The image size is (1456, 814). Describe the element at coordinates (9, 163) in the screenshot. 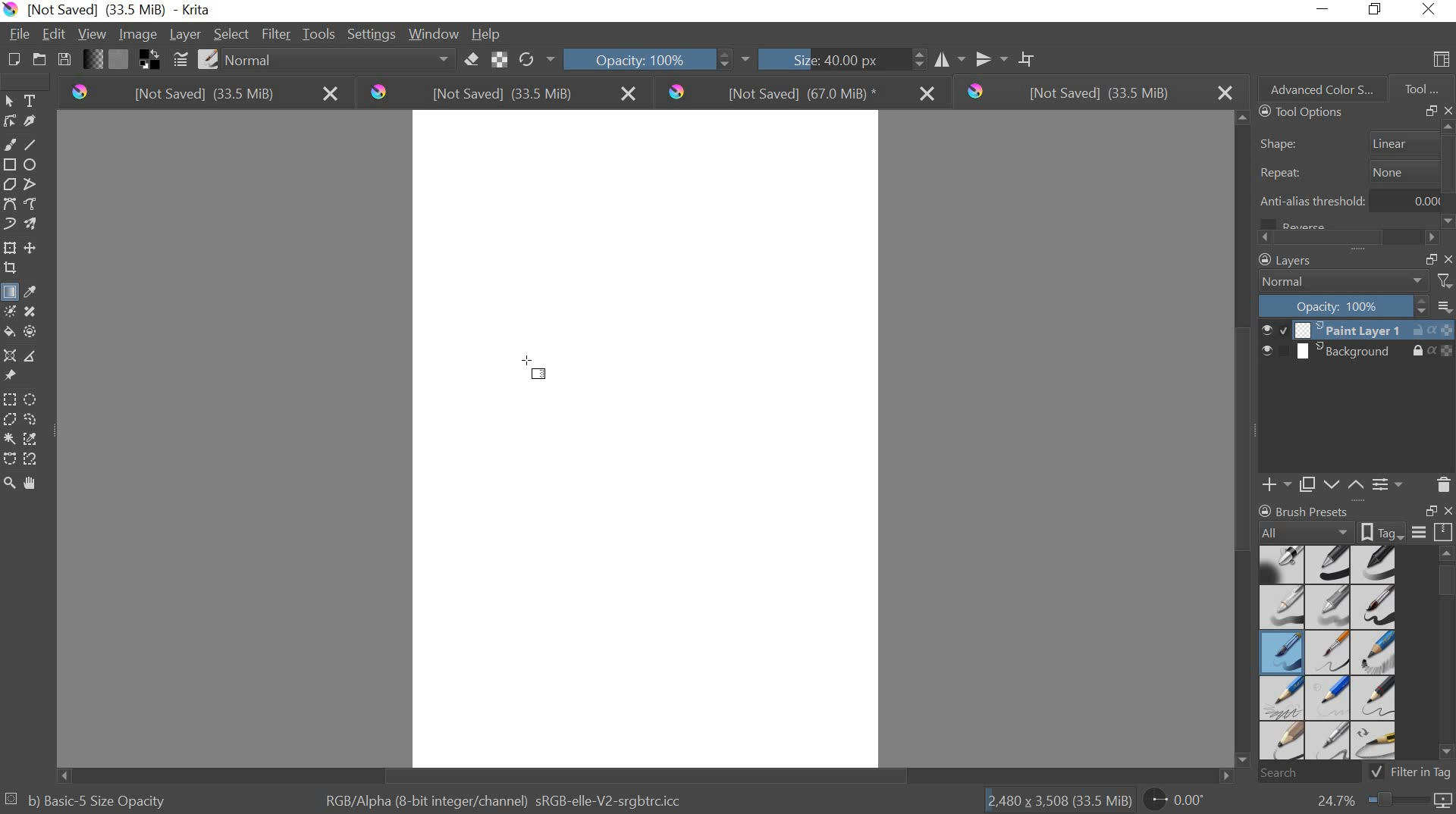

I see `rectangle` at that location.